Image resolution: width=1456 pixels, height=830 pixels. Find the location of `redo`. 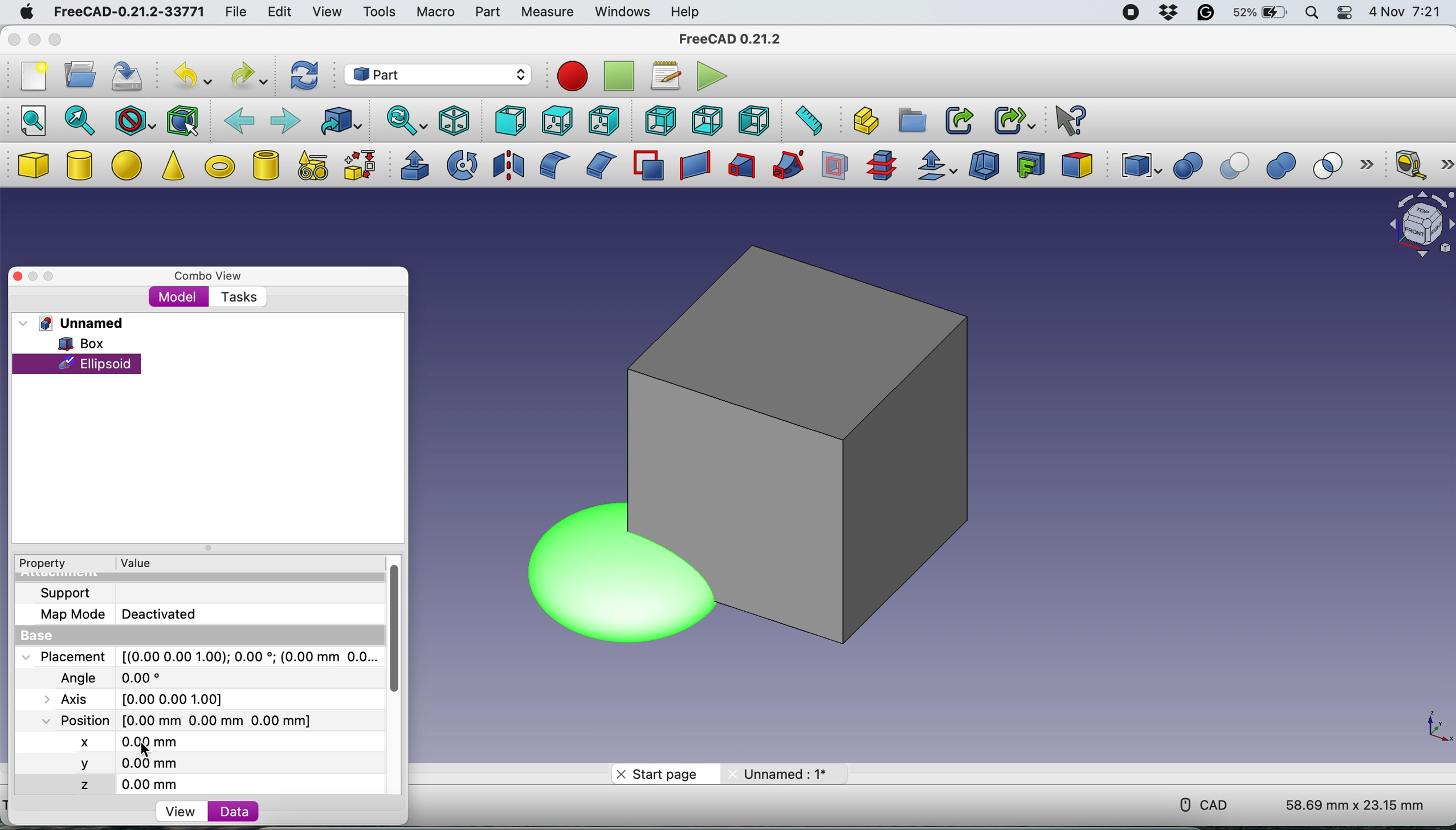

redo is located at coordinates (248, 76).